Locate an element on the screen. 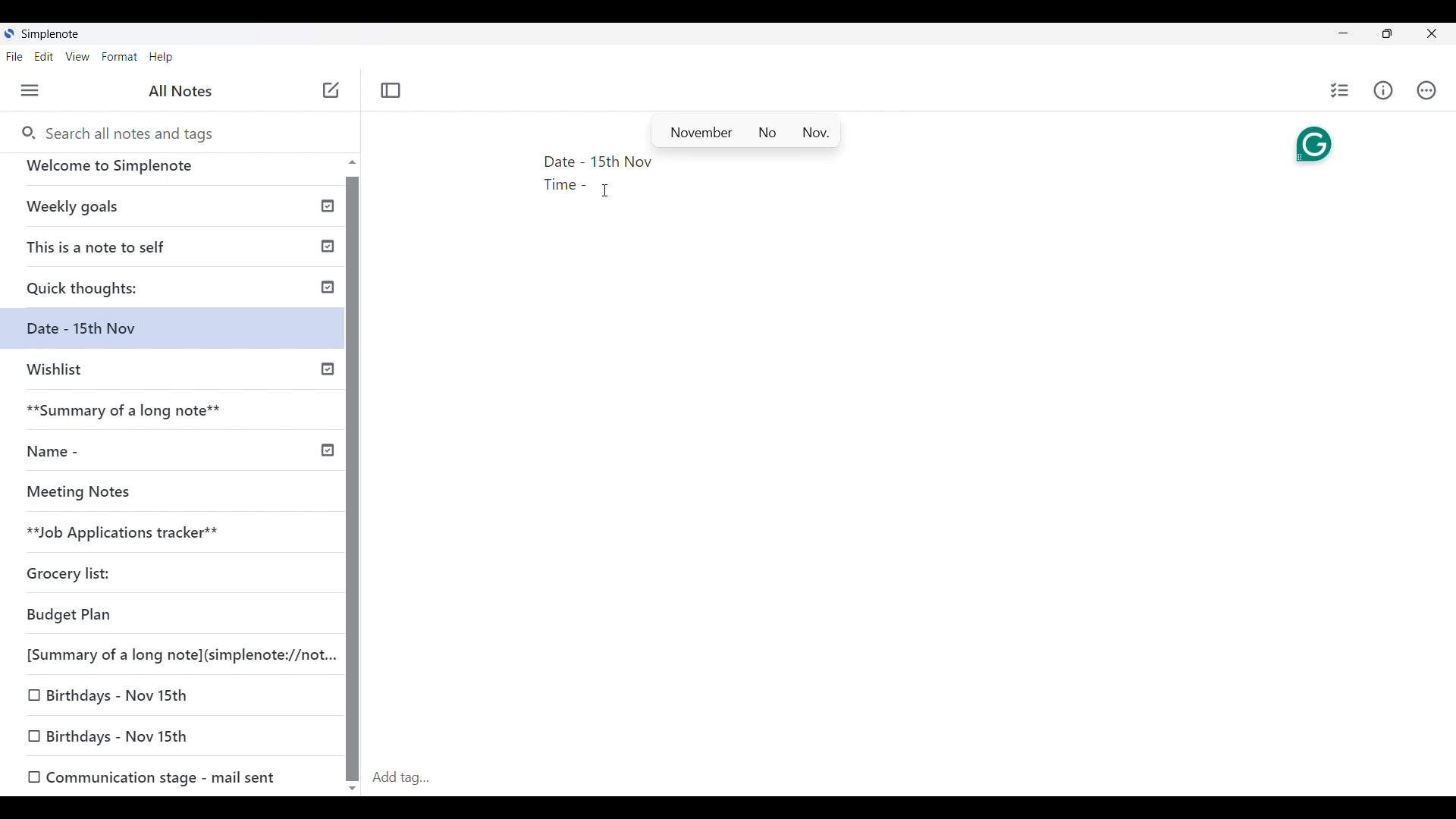 The width and height of the screenshot is (1456, 819). Unpublished note is located at coordinates (152, 775).